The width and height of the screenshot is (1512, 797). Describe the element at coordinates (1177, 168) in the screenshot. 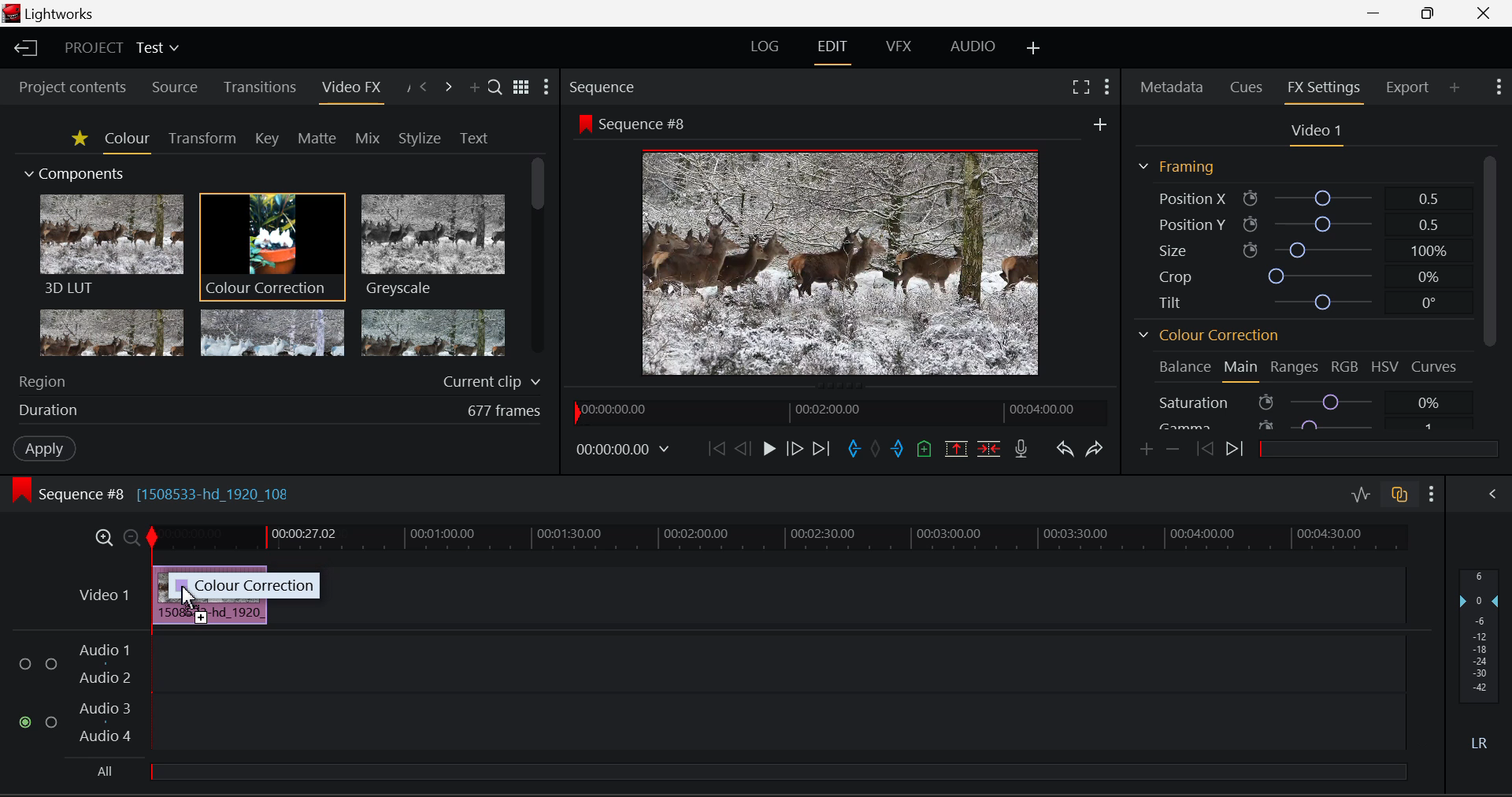

I see `Framing Section` at that location.